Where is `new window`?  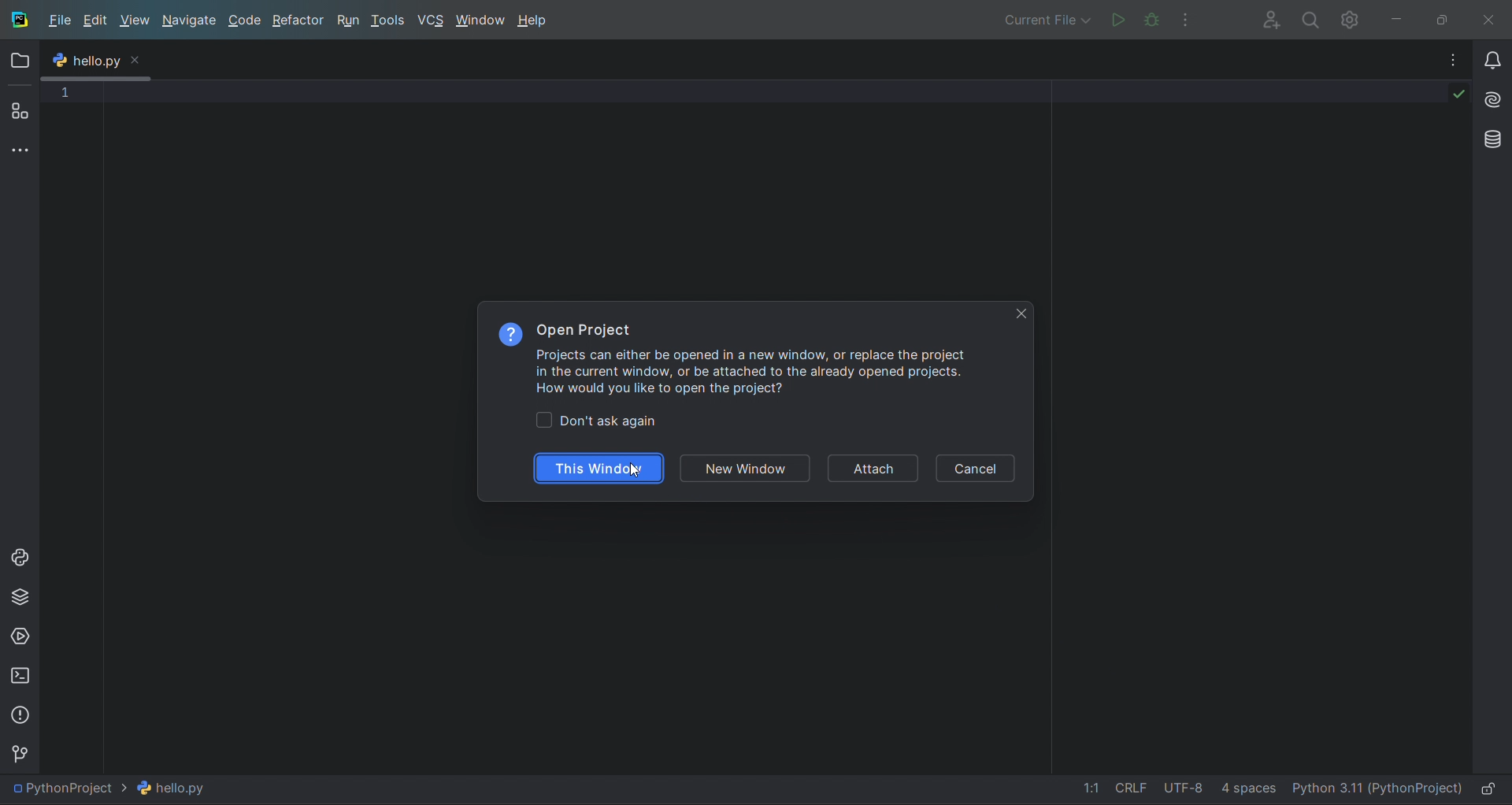
new window is located at coordinates (747, 467).